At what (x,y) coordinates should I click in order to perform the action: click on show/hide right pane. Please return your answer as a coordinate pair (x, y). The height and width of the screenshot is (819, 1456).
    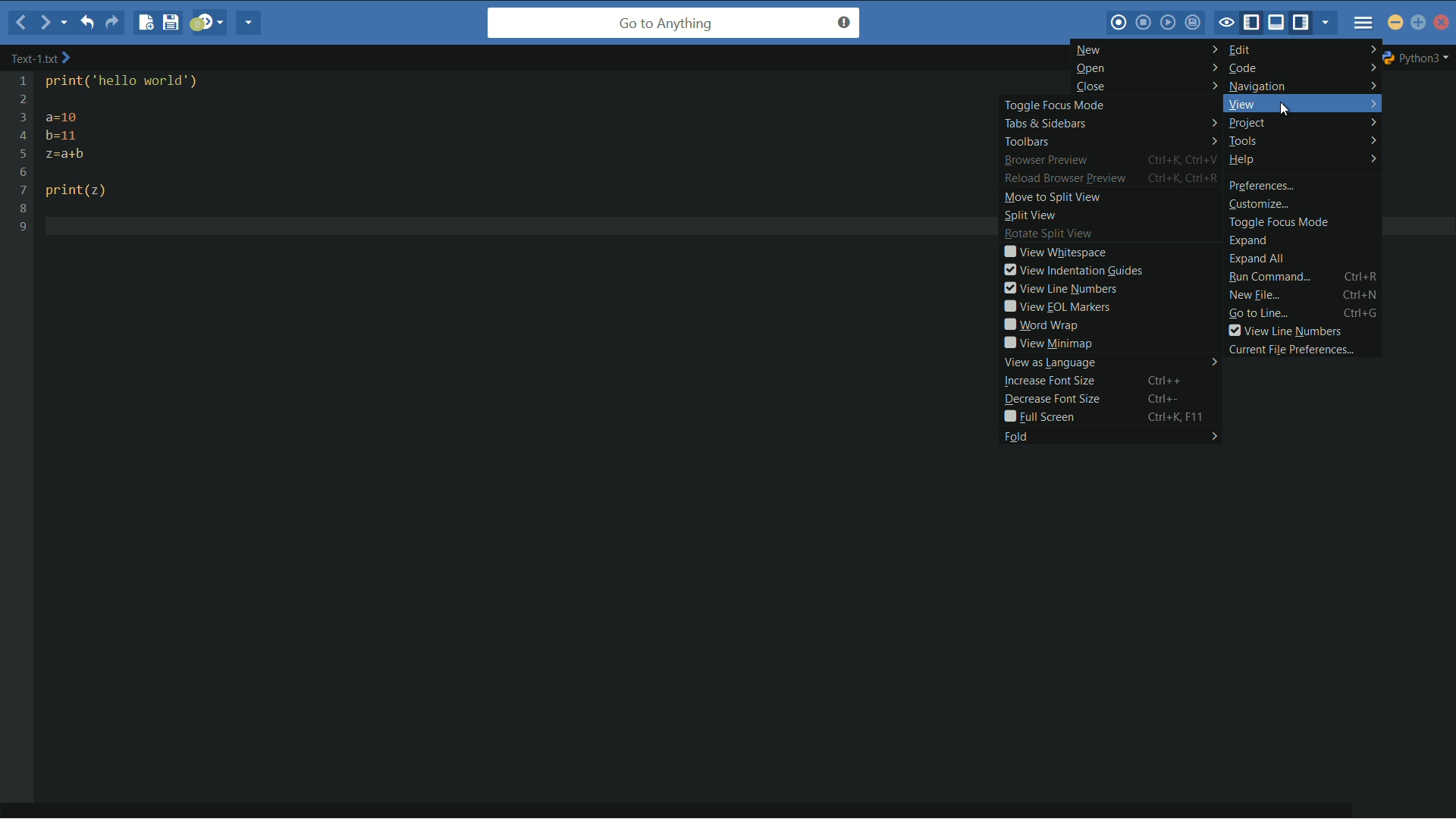
    Looking at the image, I should click on (1305, 24).